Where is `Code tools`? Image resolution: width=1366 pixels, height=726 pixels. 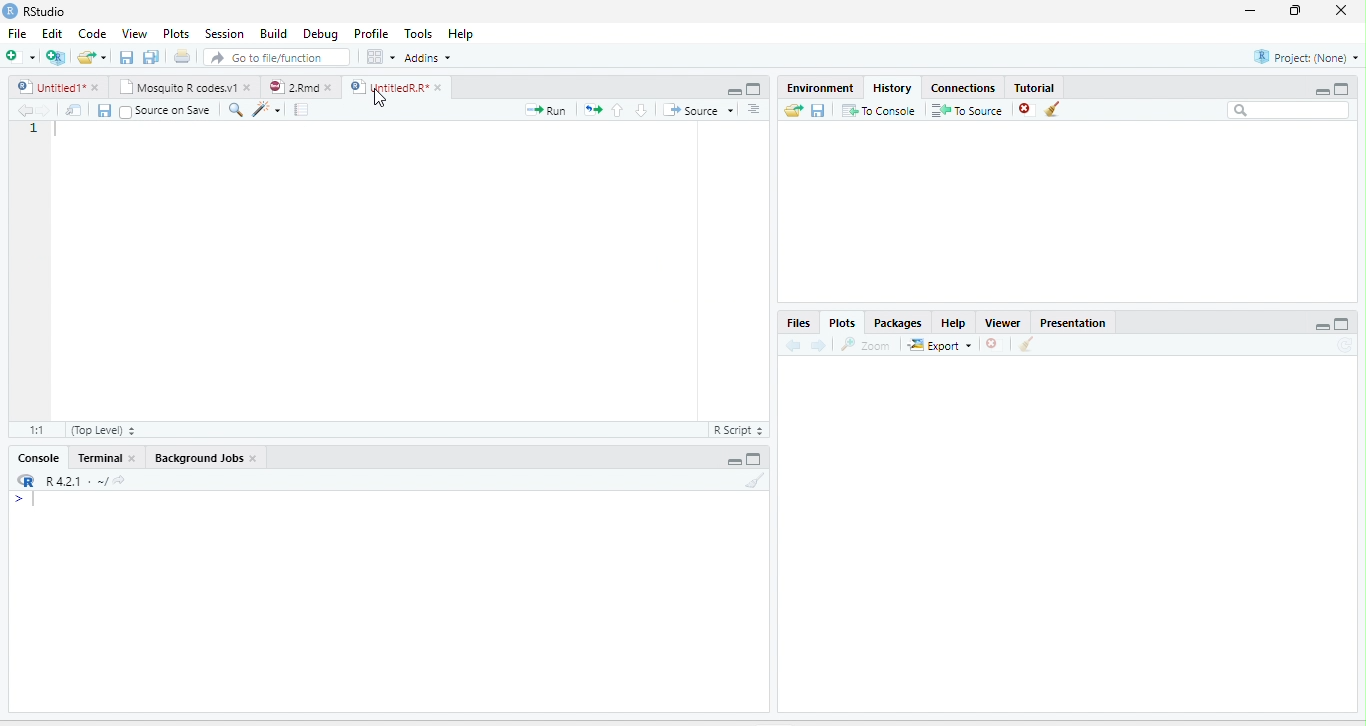
Code tools is located at coordinates (266, 109).